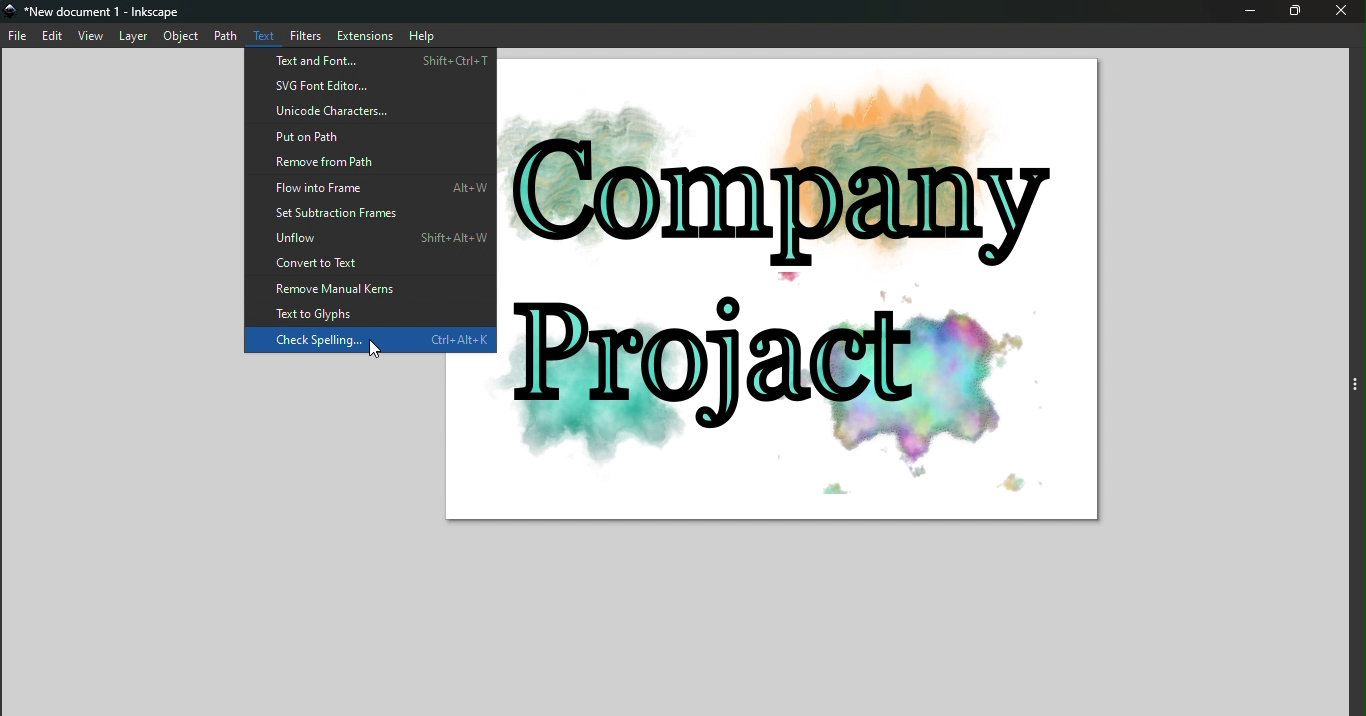 The height and width of the screenshot is (716, 1366). What do you see at coordinates (372, 113) in the screenshot?
I see `Unicode character` at bounding box center [372, 113].